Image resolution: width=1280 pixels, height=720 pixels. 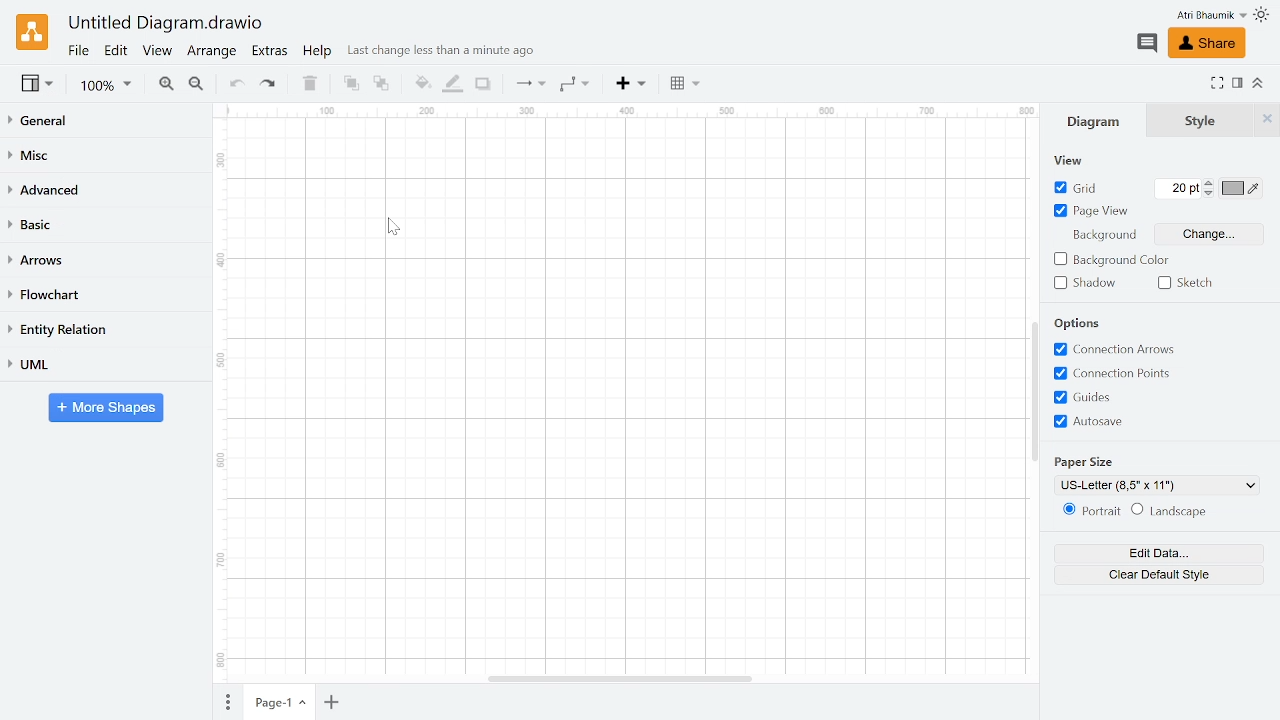 What do you see at coordinates (1106, 458) in the screenshot?
I see `paper size` at bounding box center [1106, 458].